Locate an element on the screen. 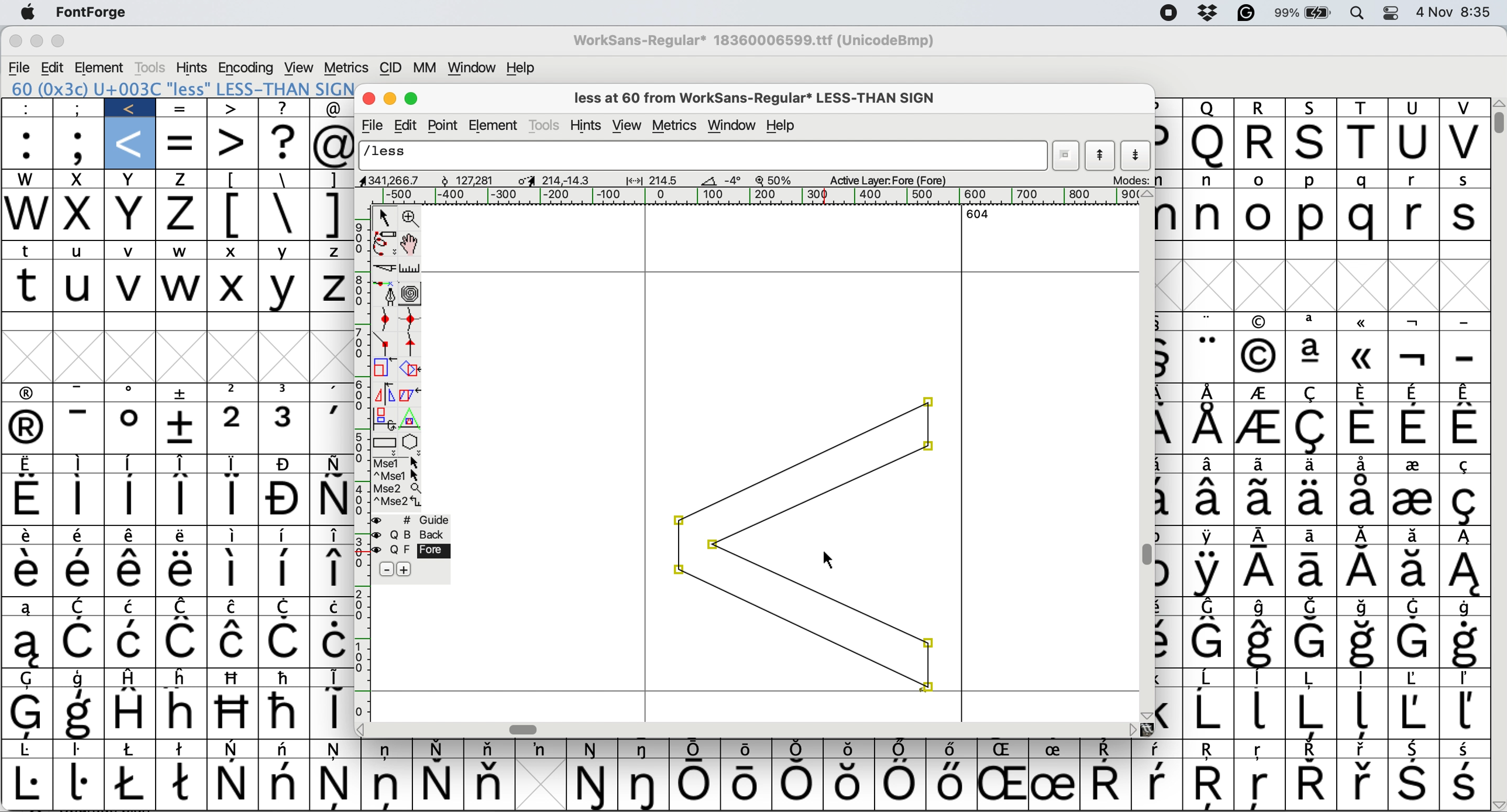 Image resolution: width=1507 pixels, height=812 pixels. metrics is located at coordinates (675, 126).